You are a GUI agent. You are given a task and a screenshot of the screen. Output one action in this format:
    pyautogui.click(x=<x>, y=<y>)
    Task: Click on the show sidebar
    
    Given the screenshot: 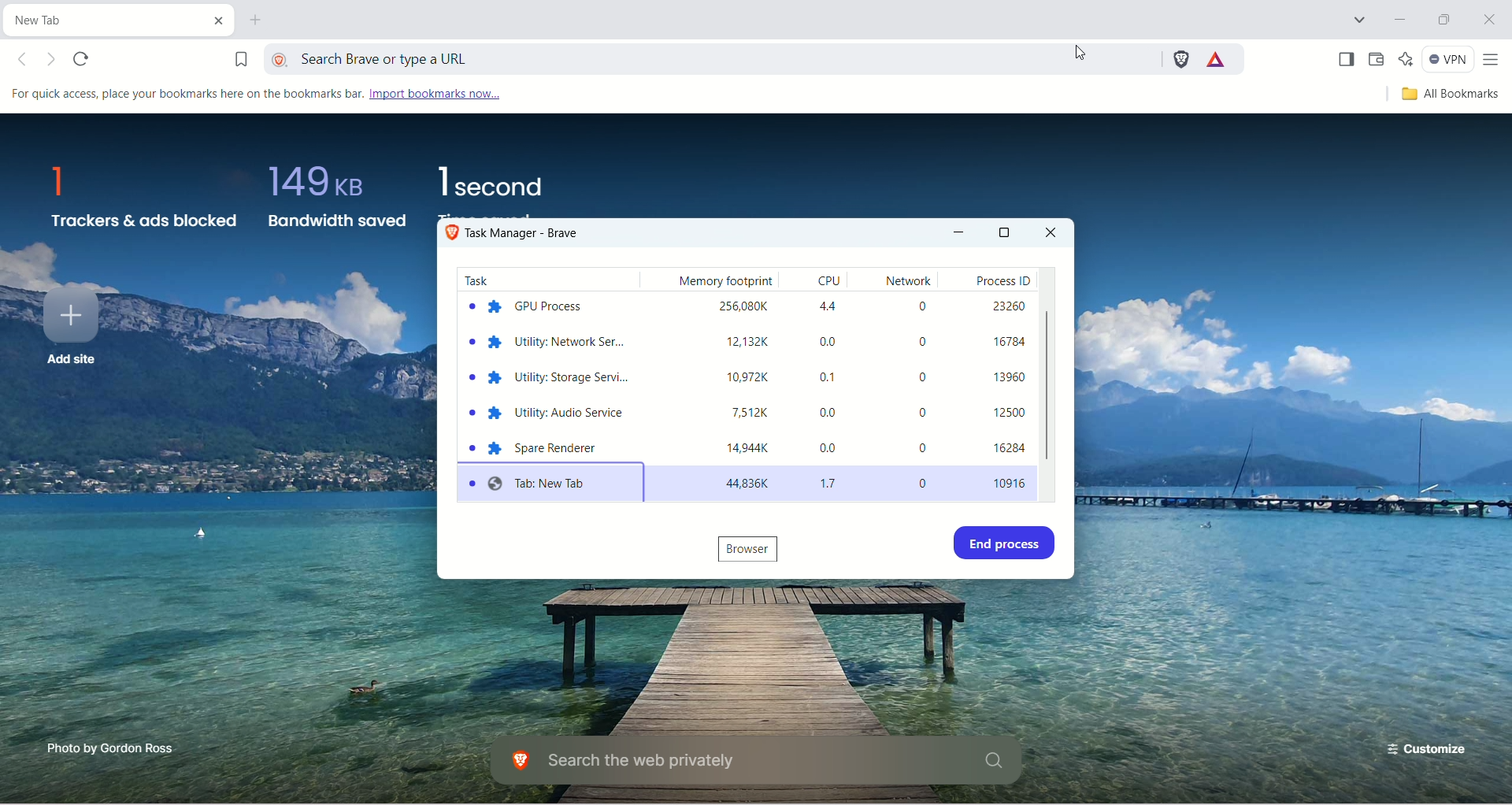 What is the action you would take?
    pyautogui.click(x=1347, y=58)
    